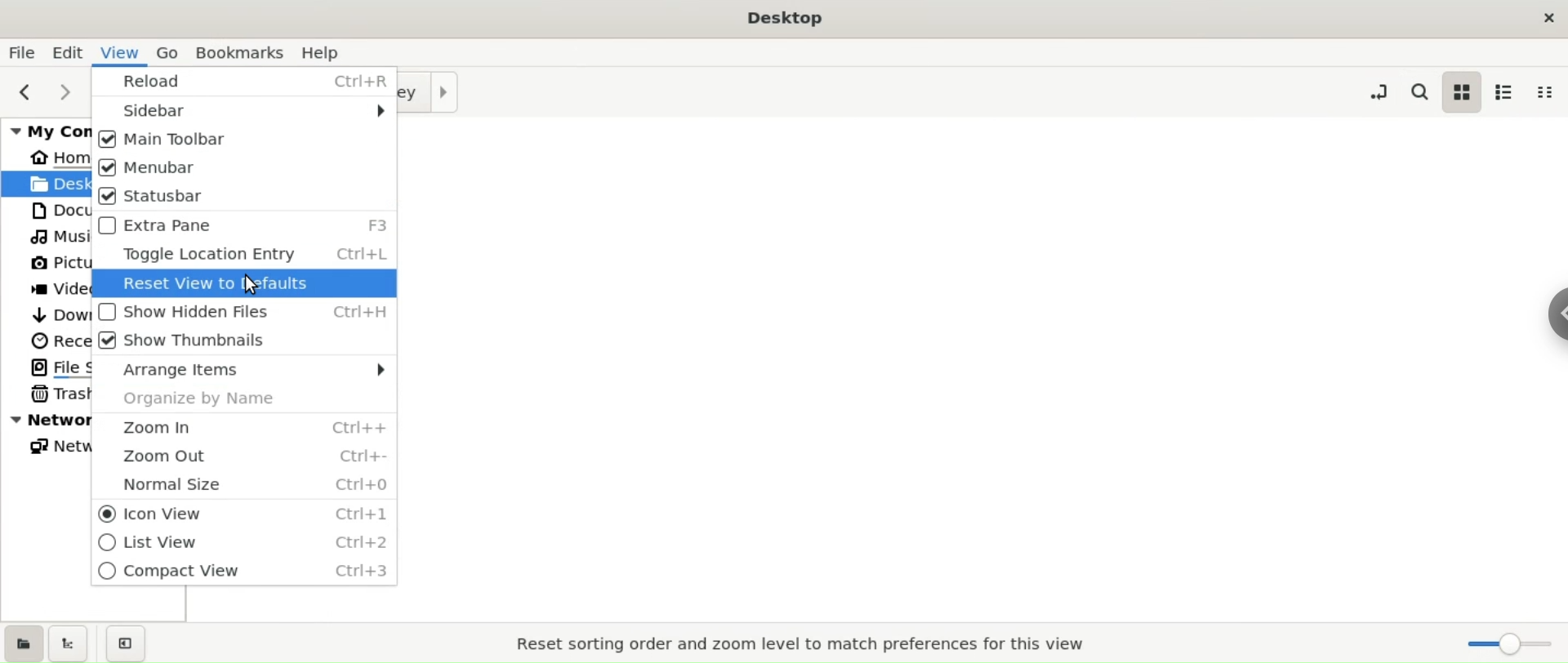 Image resolution: width=1568 pixels, height=663 pixels. Describe the element at coordinates (1418, 91) in the screenshot. I see `search` at that location.